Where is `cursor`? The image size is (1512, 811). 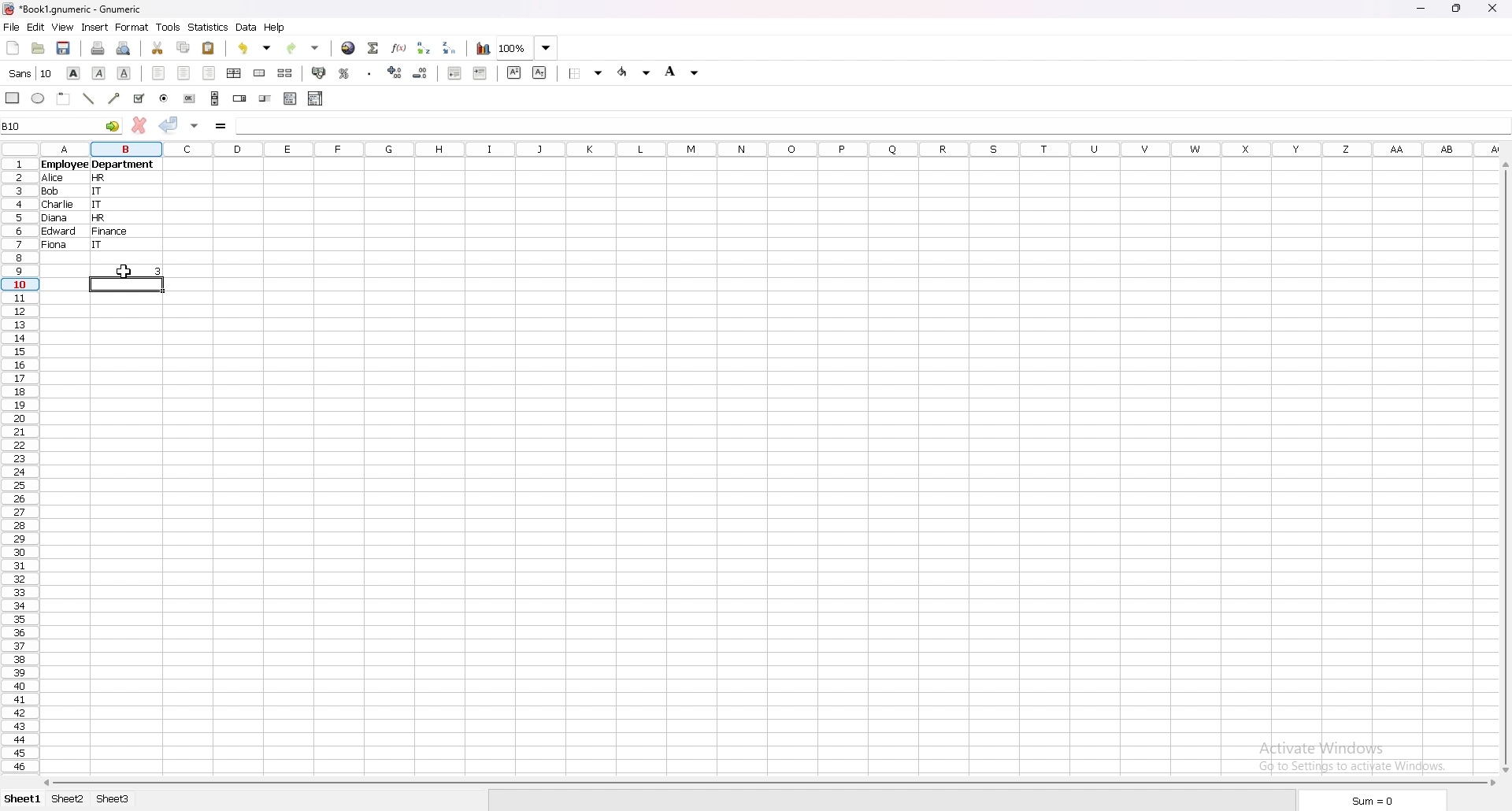
cursor is located at coordinates (123, 271).